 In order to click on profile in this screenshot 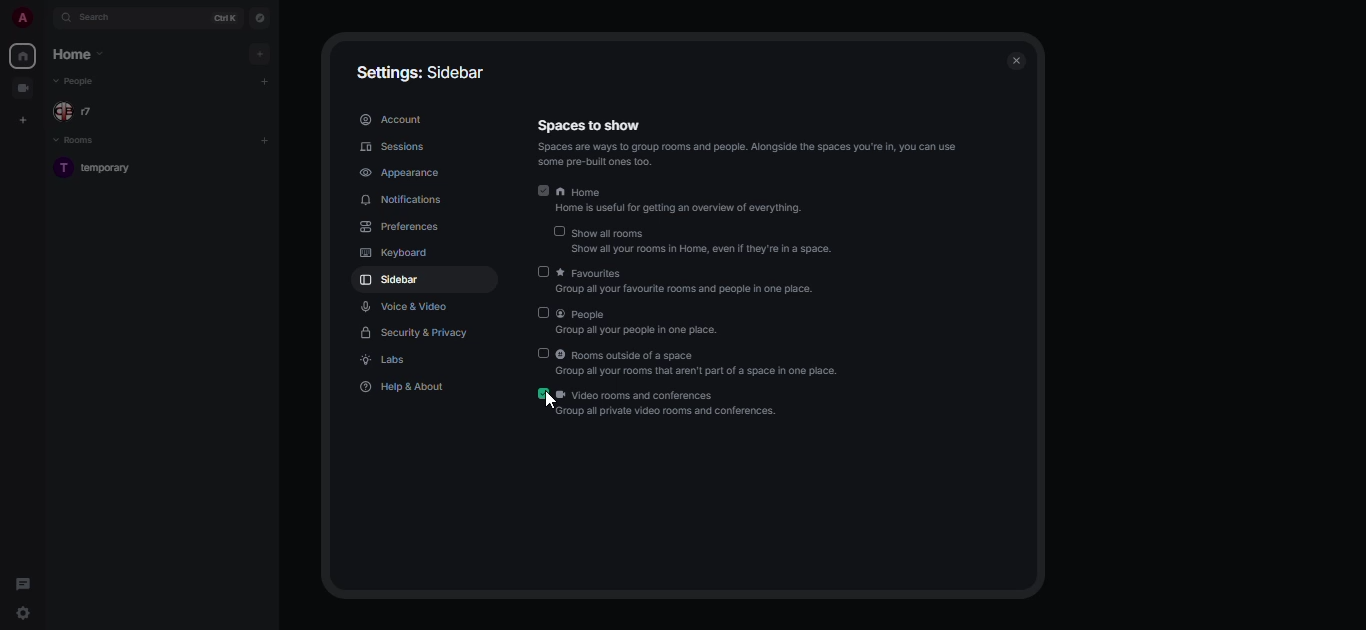, I will do `click(16, 18)`.